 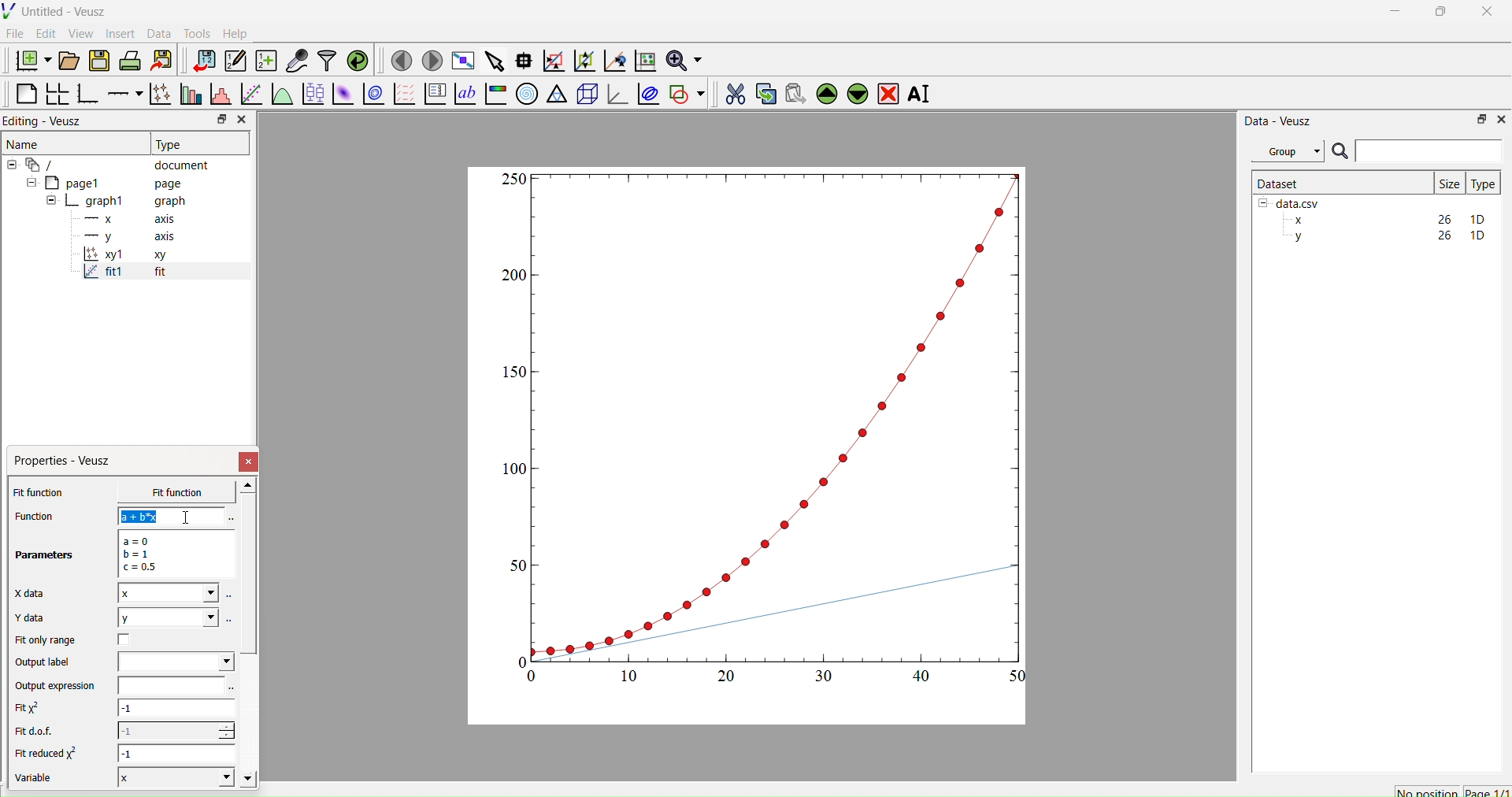 I want to click on input , so click(x=169, y=685).